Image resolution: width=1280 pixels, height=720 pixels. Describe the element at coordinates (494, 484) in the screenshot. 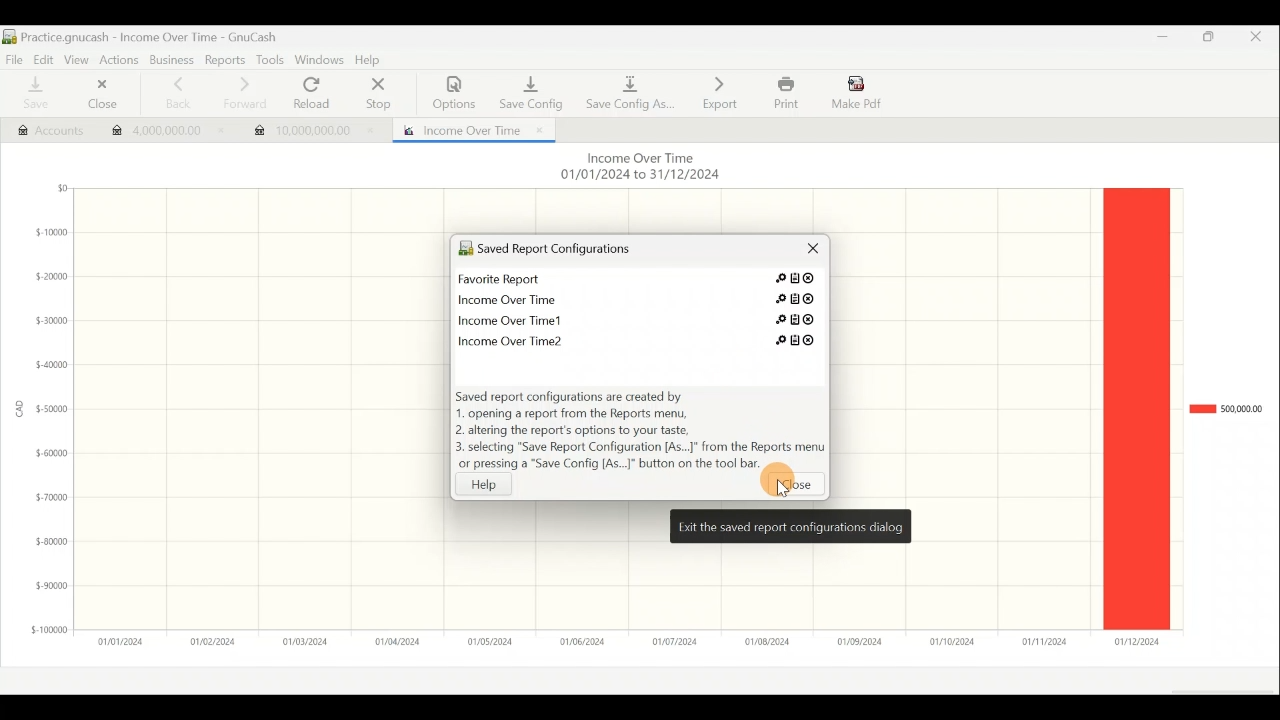

I see `Help` at that location.